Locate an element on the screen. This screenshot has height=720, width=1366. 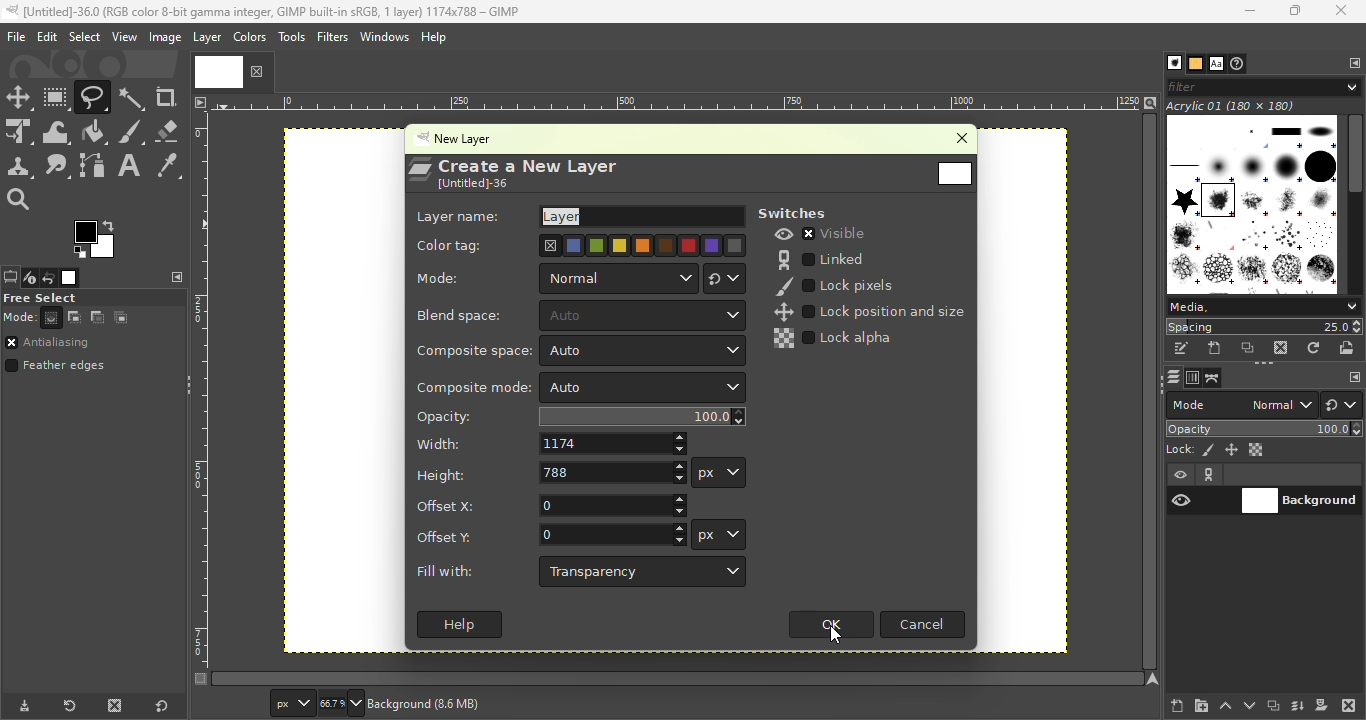
untitled -36.0 (rgb color 8-bit gamma integer , gimp built in stgb, 1 layer) 1174x788 - gimp is located at coordinates (274, 12).